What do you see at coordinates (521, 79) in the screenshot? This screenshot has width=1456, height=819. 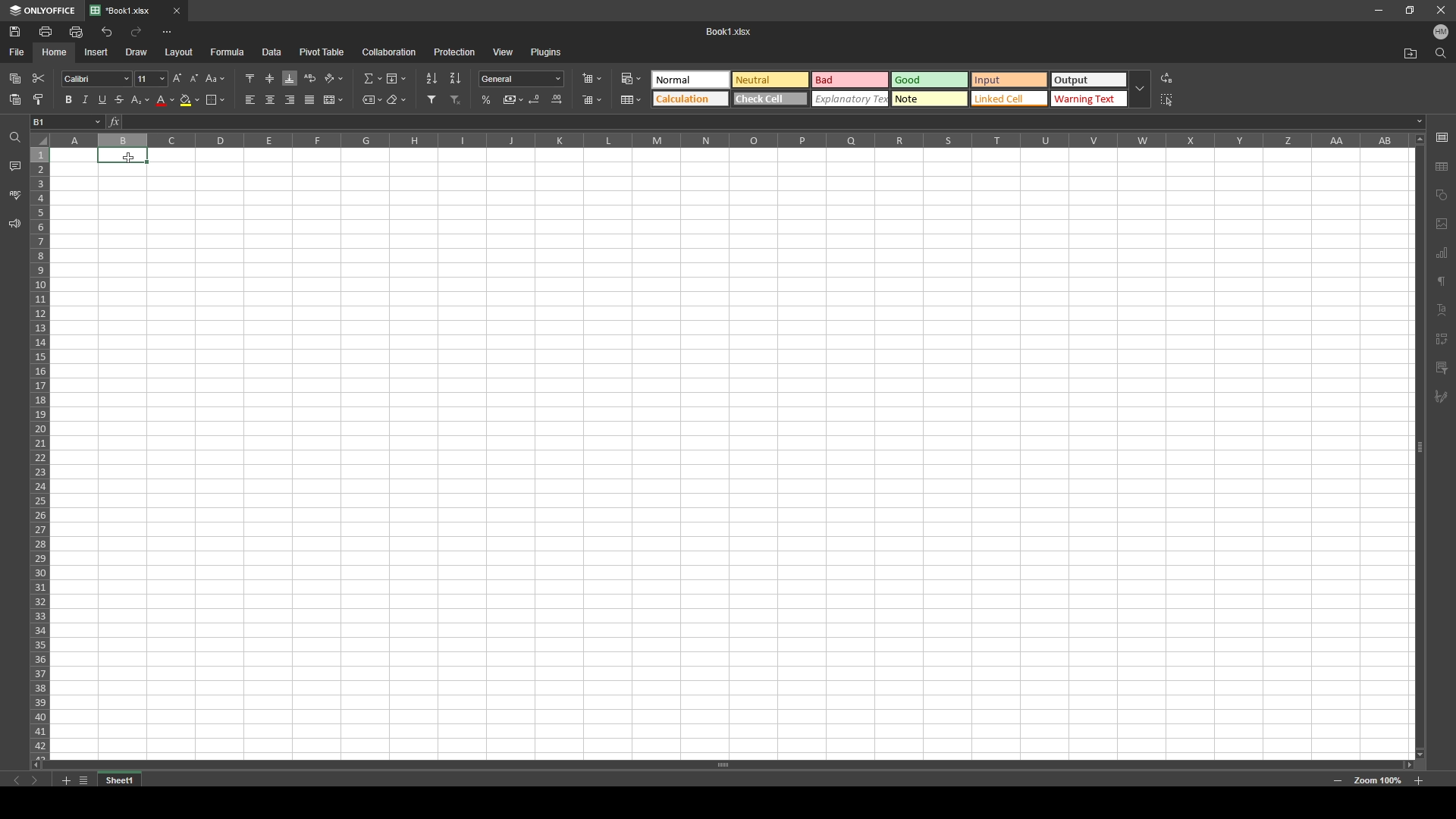 I see `number format` at bounding box center [521, 79].